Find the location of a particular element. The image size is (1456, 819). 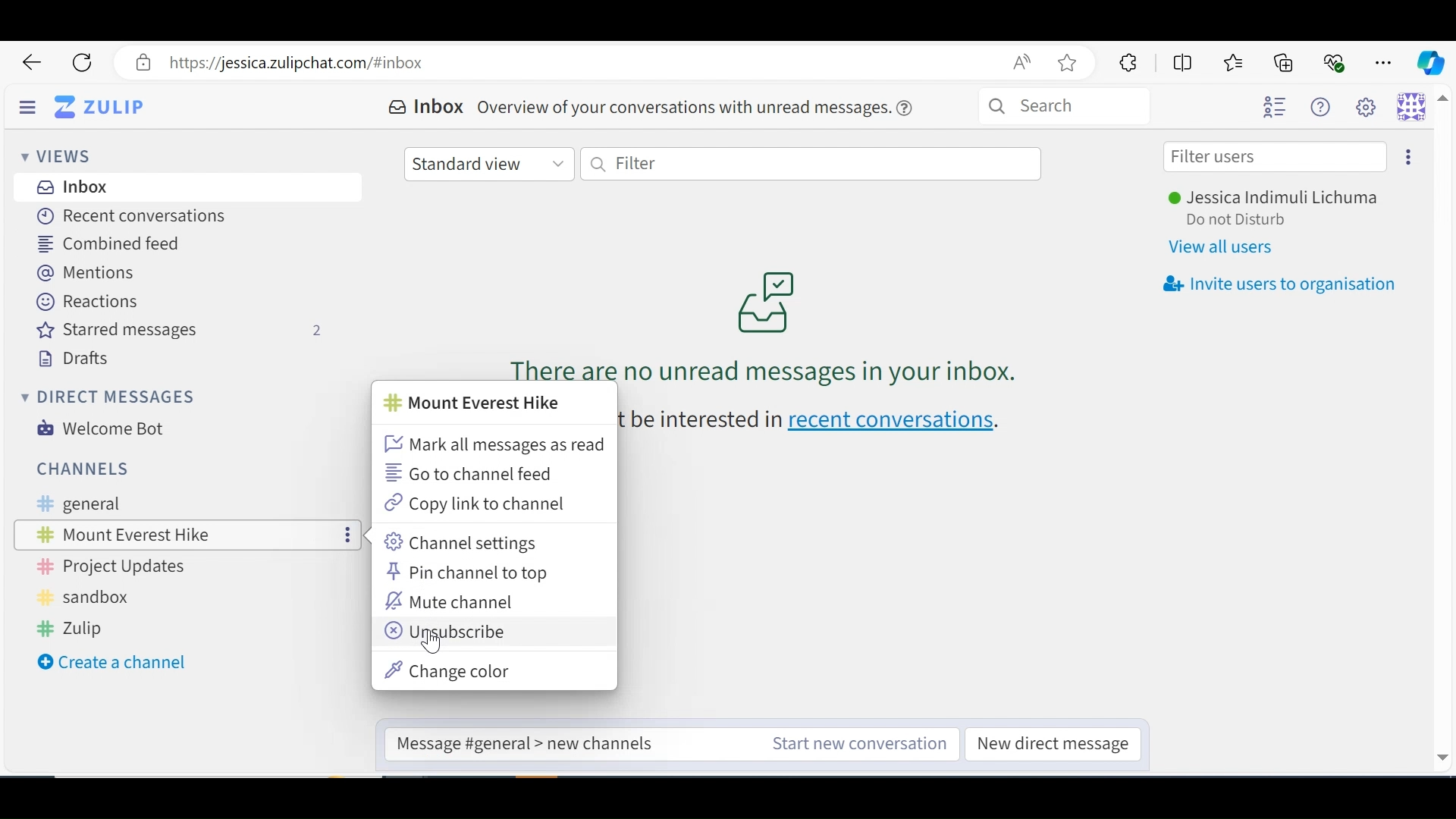

Filter users is located at coordinates (1276, 157).